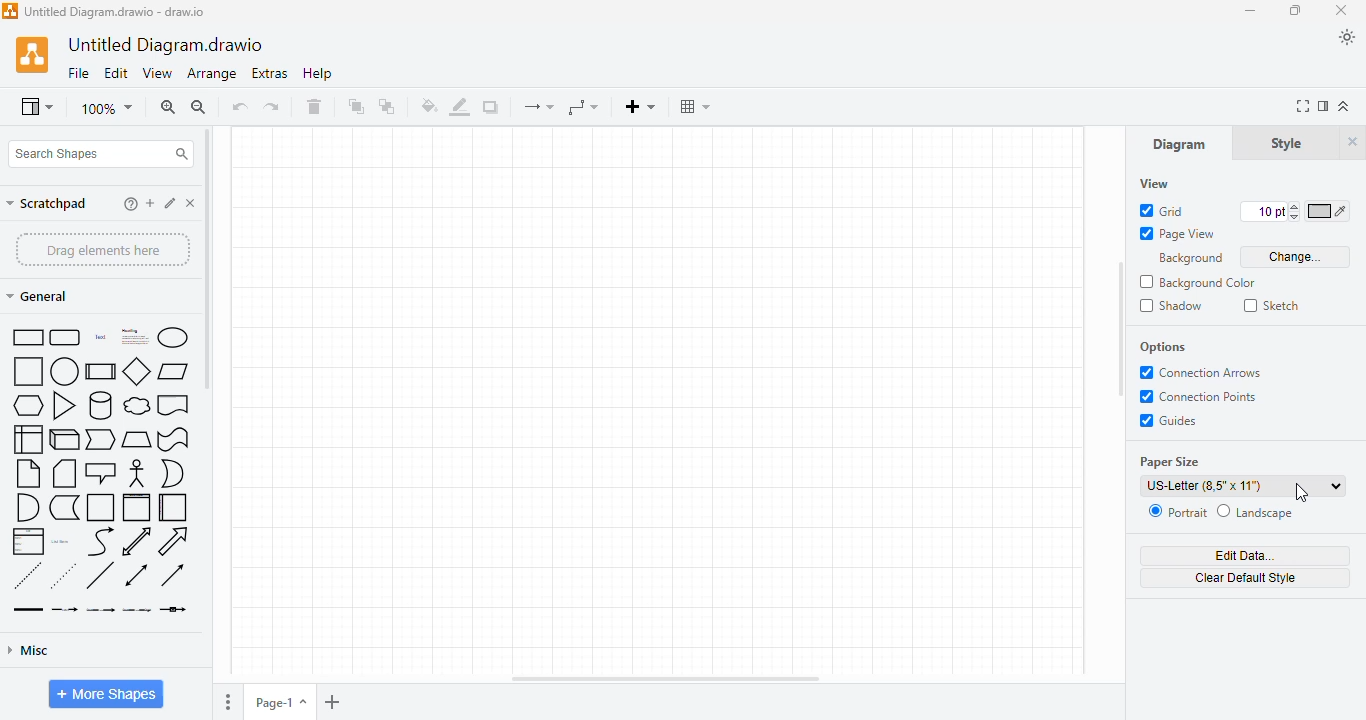 Image resolution: width=1366 pixels, height=720 pixels. I want to click on list item, so click(62, 542).